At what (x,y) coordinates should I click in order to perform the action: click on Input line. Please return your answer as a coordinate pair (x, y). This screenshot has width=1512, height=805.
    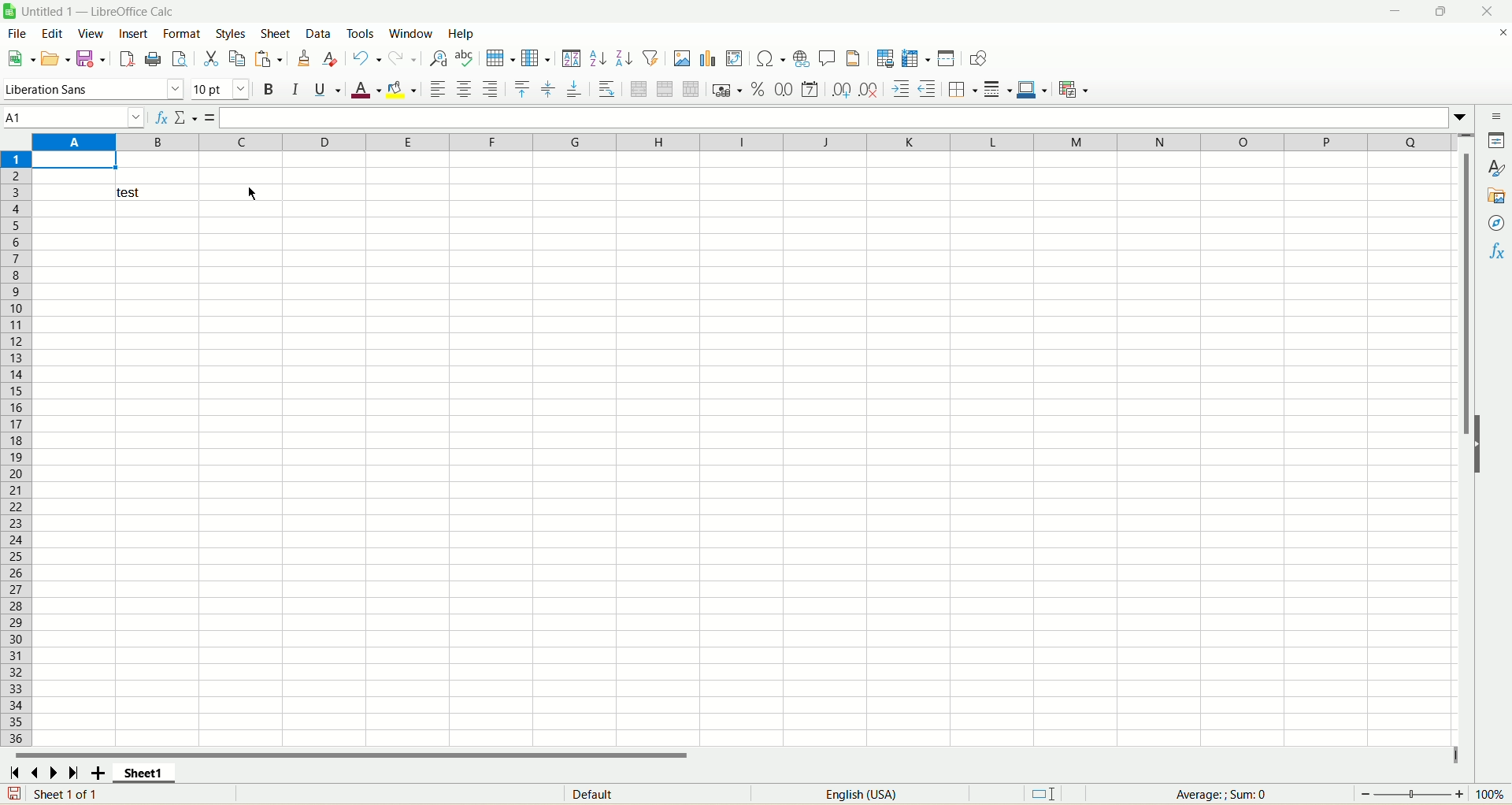
    Looking at the image, I should click on (836, 118).